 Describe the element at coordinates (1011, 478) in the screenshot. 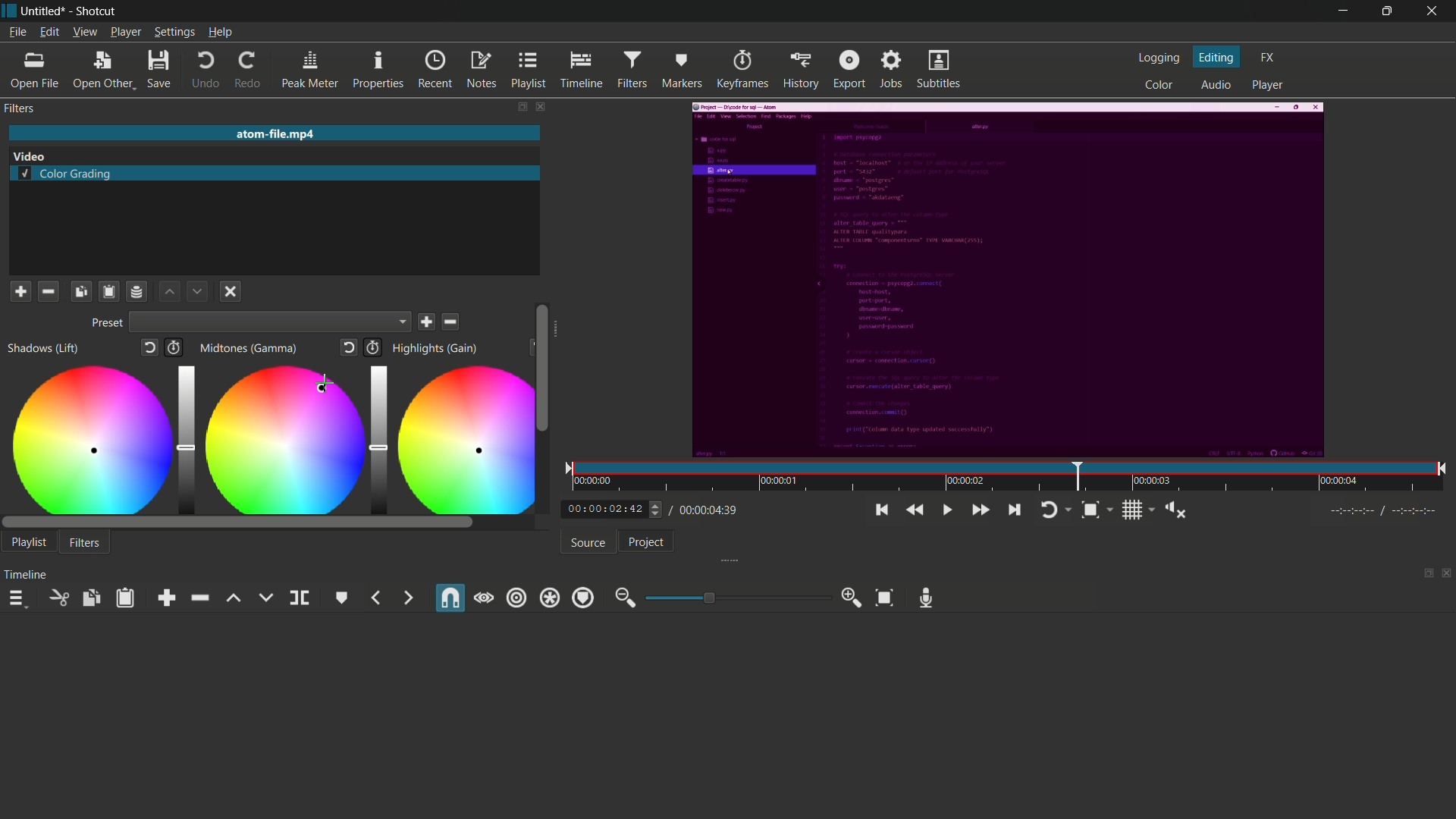

I see `time` at that location.